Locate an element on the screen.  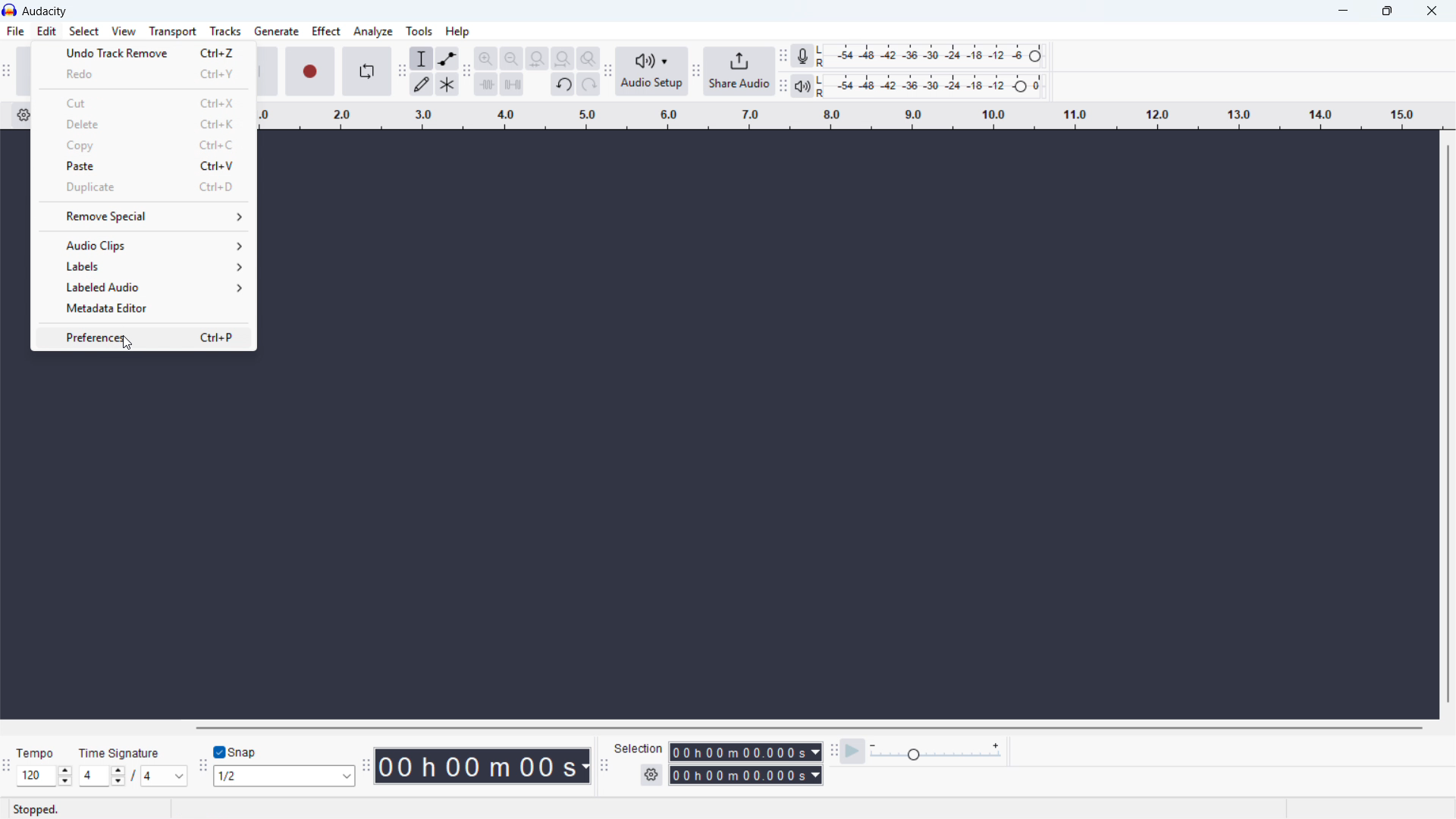
draw tool is located at coordinates (422, 83).